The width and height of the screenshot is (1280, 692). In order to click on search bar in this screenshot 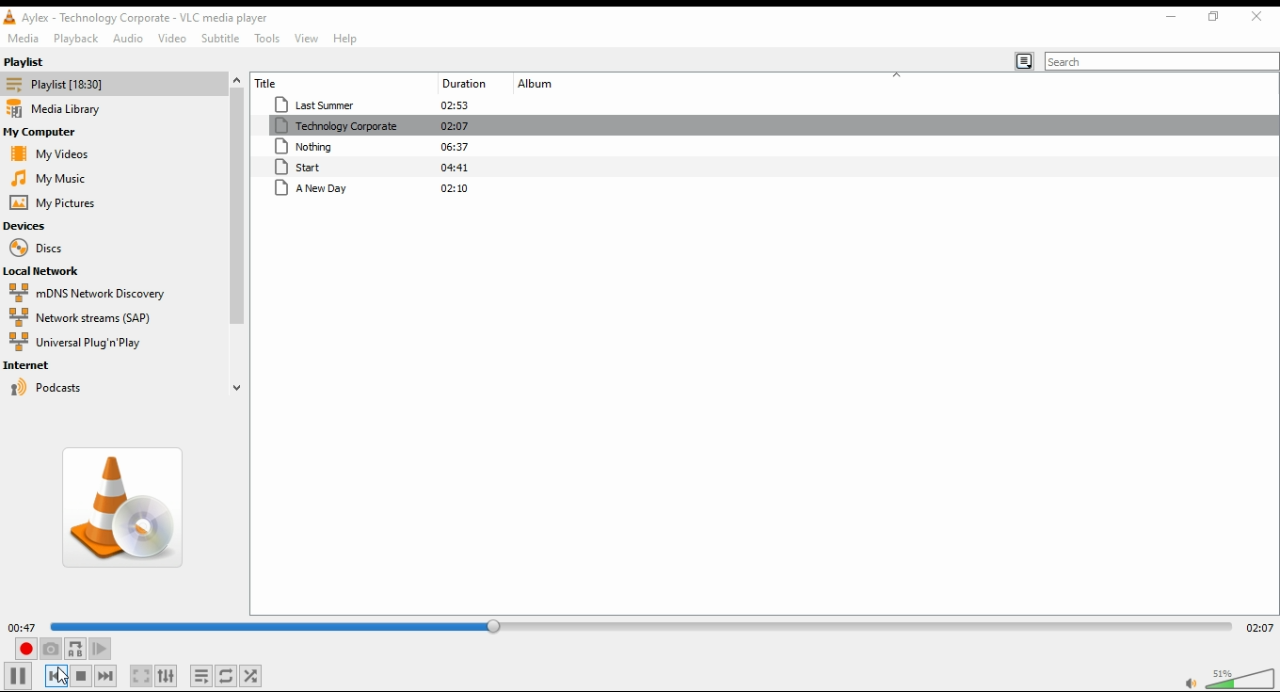, I will do `click(1162, 61)`.